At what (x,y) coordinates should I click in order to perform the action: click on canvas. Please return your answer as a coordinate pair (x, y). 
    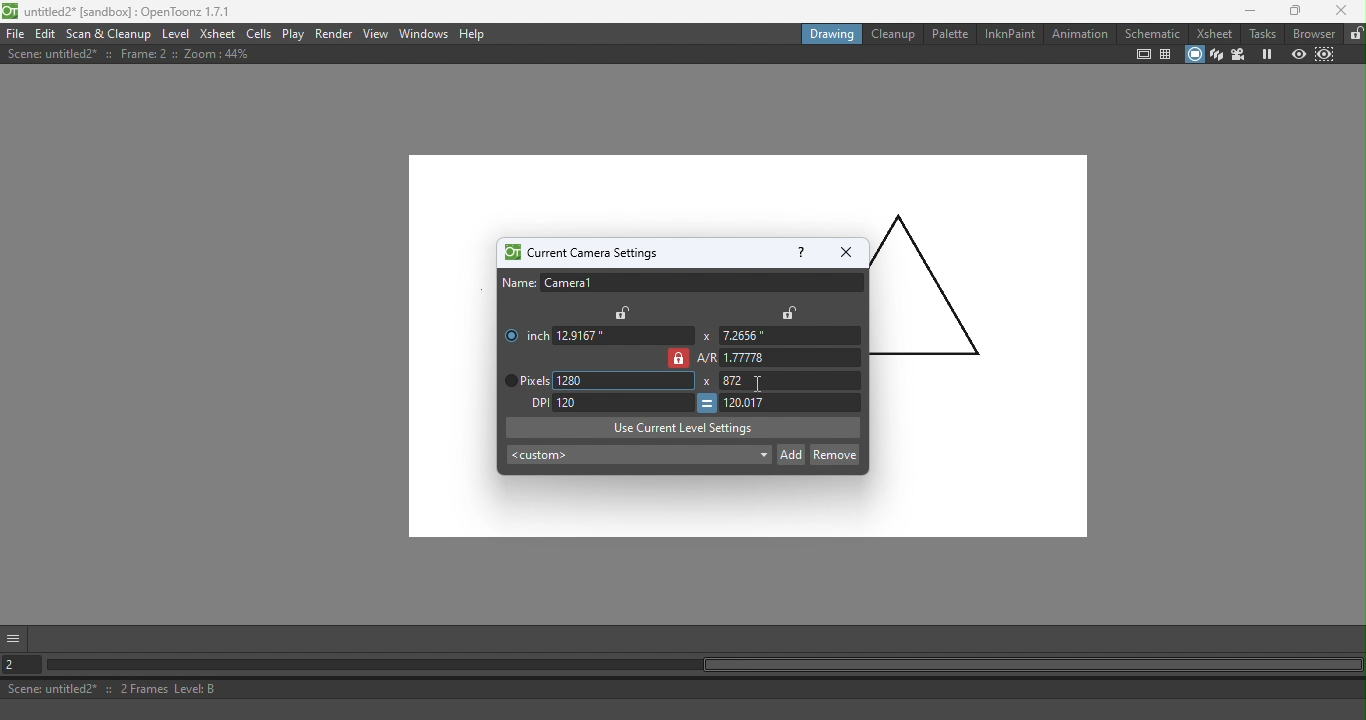
    Looking at the image, I should click on (746, 193).